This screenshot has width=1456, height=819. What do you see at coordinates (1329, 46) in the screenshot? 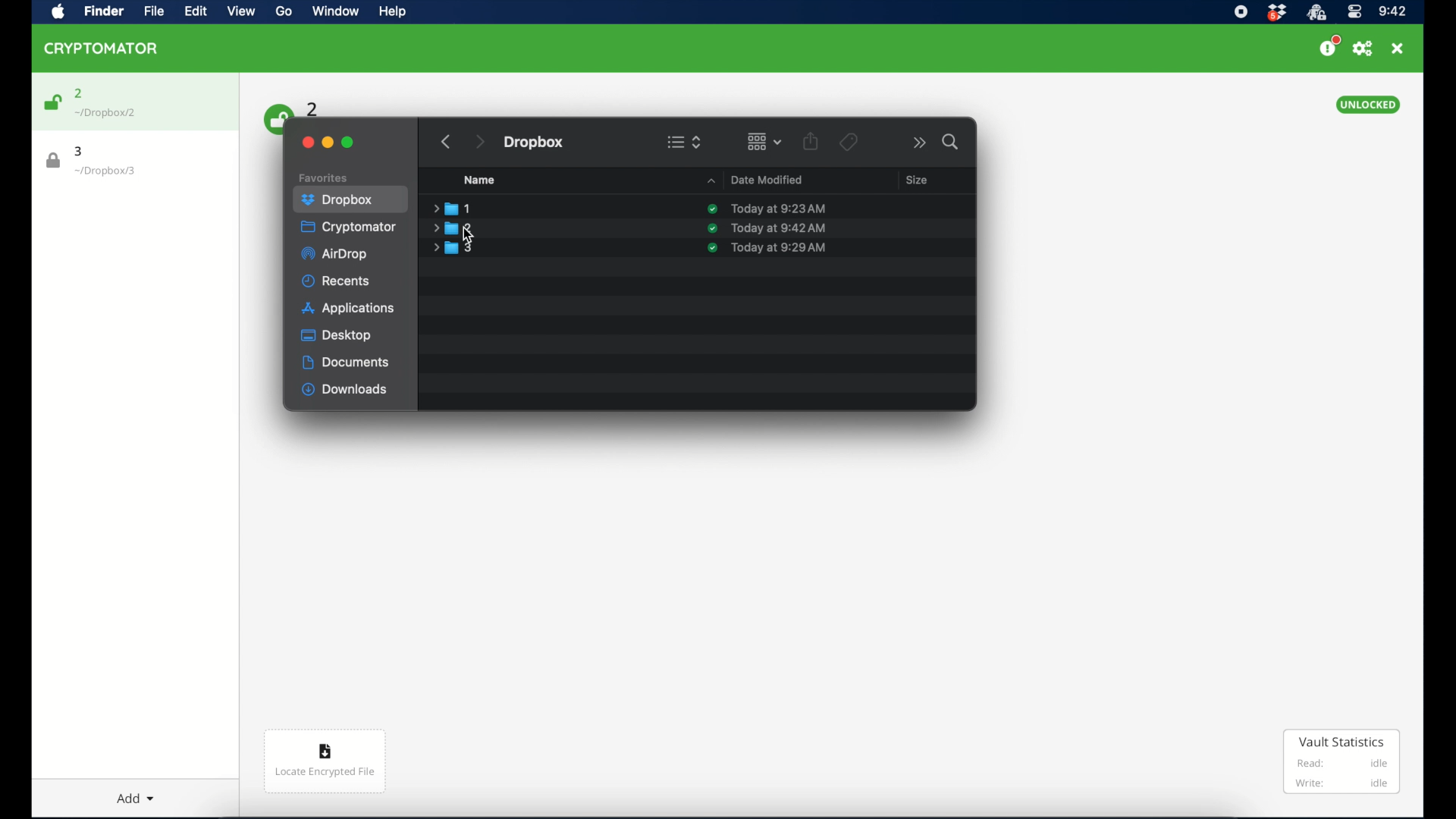
I see `support us` at bounding box center [1329, 46].